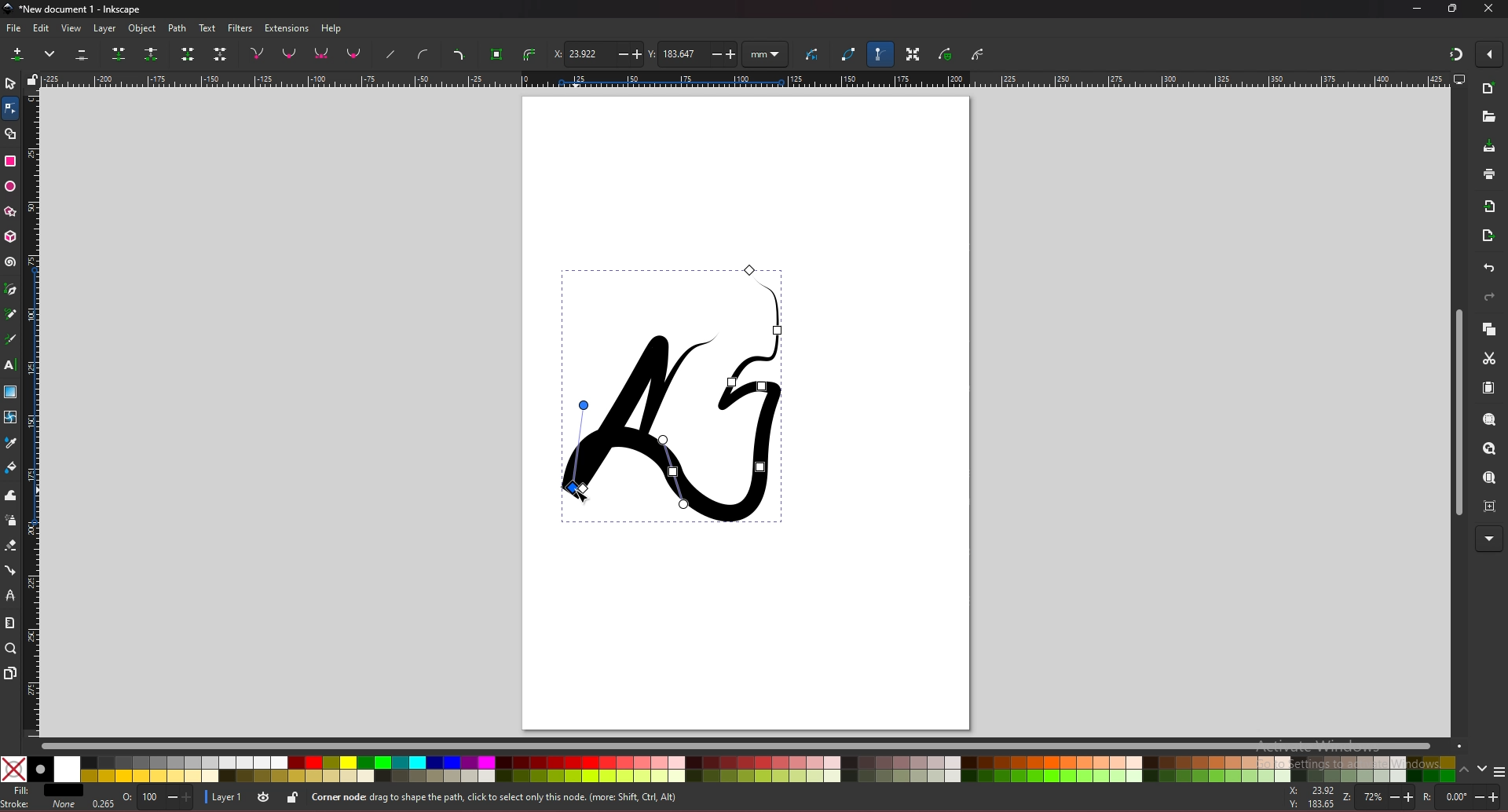  Describe the element at coordinates (535, 796) in the screenshot. I see `info` at that location.